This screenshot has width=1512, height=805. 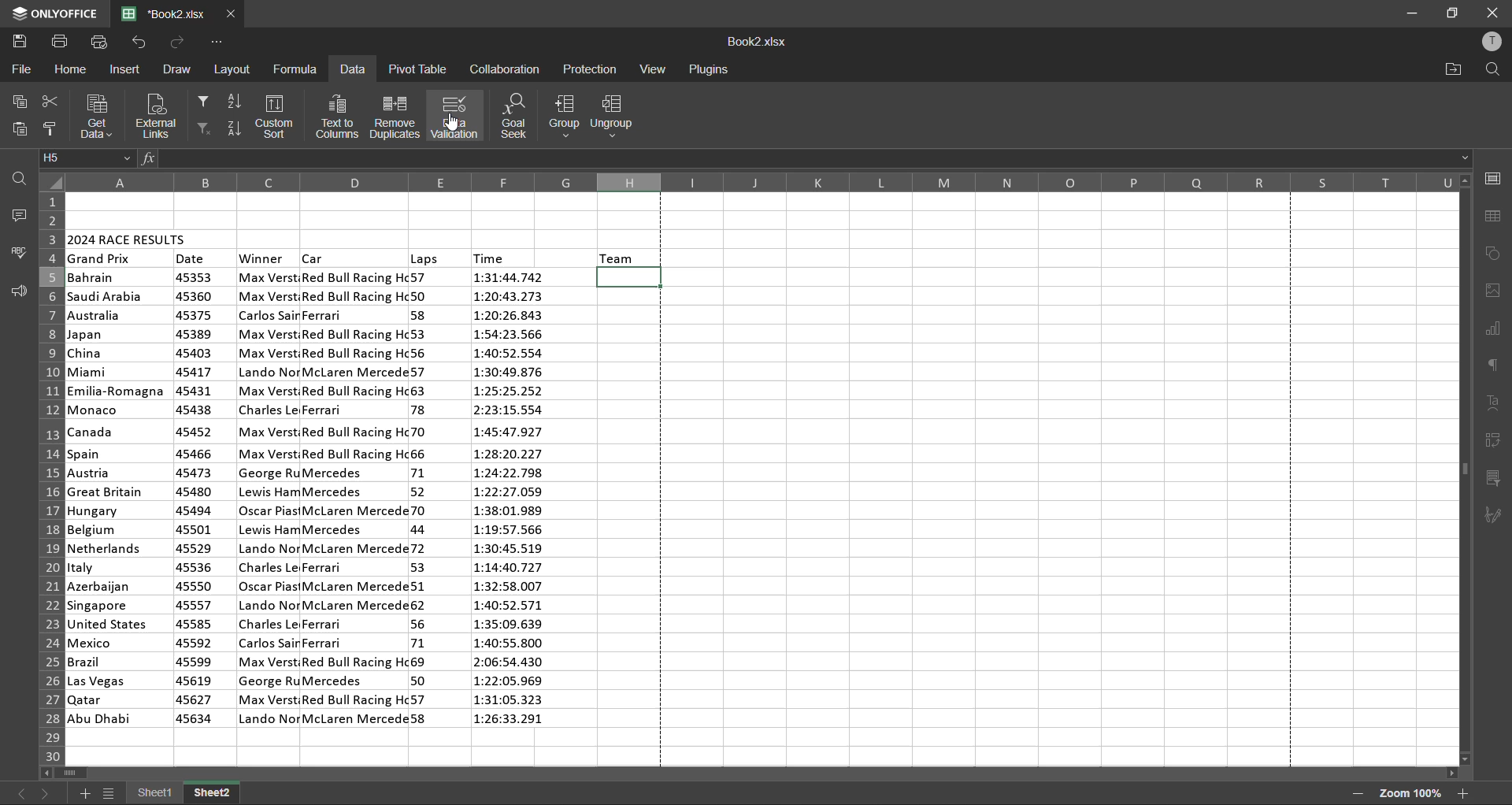 I want to click on sheet list, so click(x=112, y=796).